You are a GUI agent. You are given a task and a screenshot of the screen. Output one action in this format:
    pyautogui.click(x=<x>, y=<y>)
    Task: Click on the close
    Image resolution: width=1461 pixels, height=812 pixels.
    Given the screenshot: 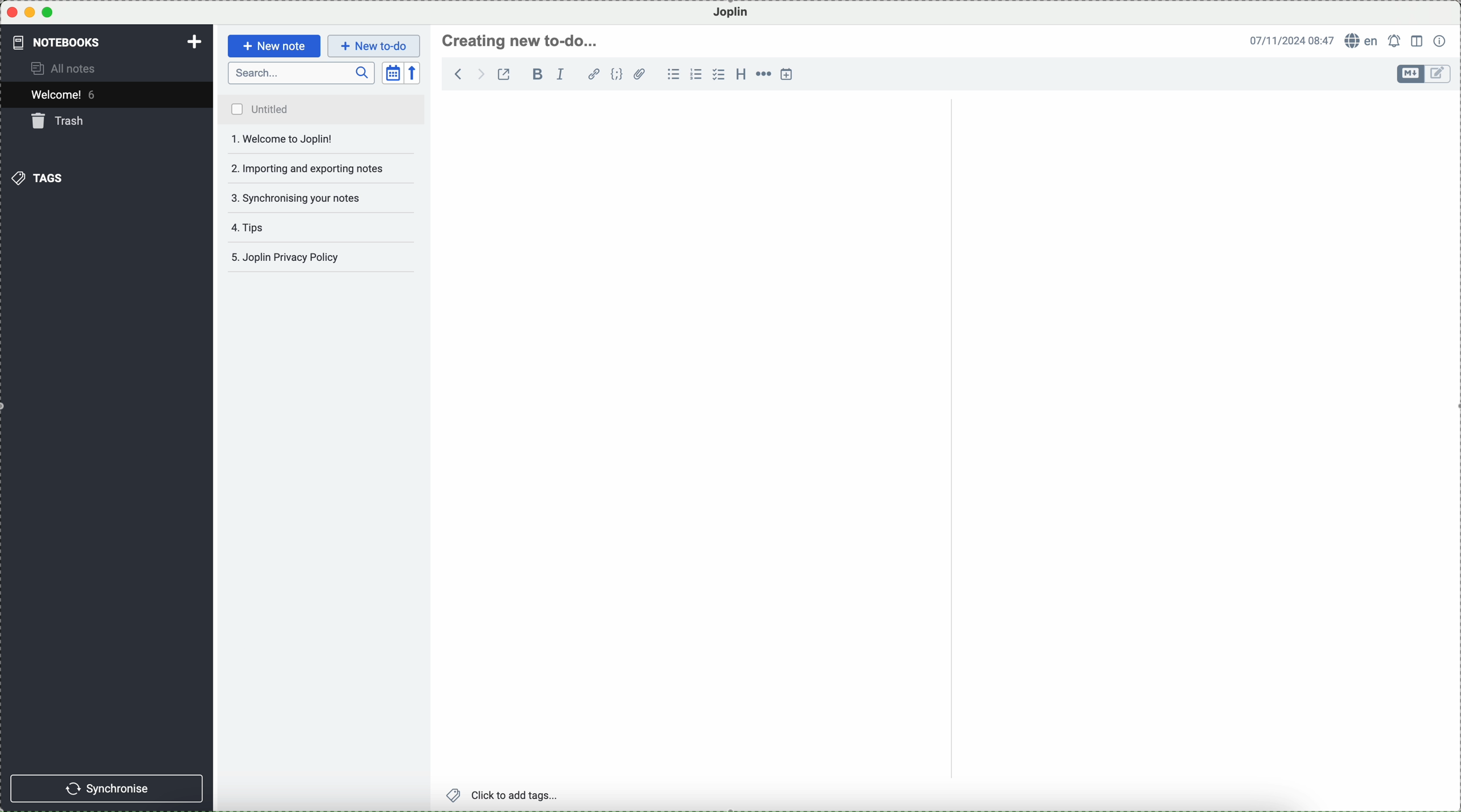 What is the action you would take?
    pyautogui.click(x=12, y=12)
    